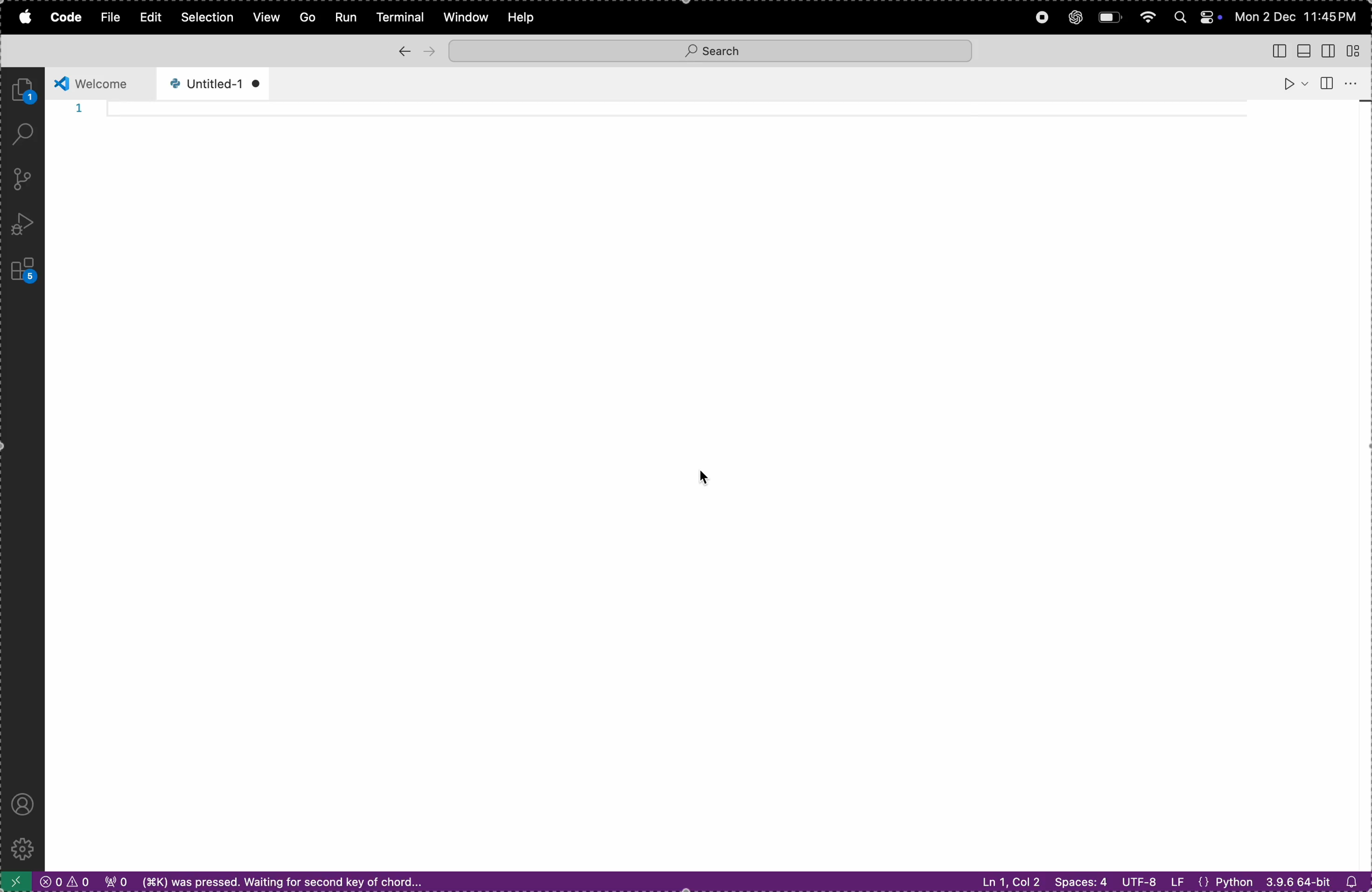 This screenshot has width=1372, height=892. I want to click on wifi, so click(1146, 18).